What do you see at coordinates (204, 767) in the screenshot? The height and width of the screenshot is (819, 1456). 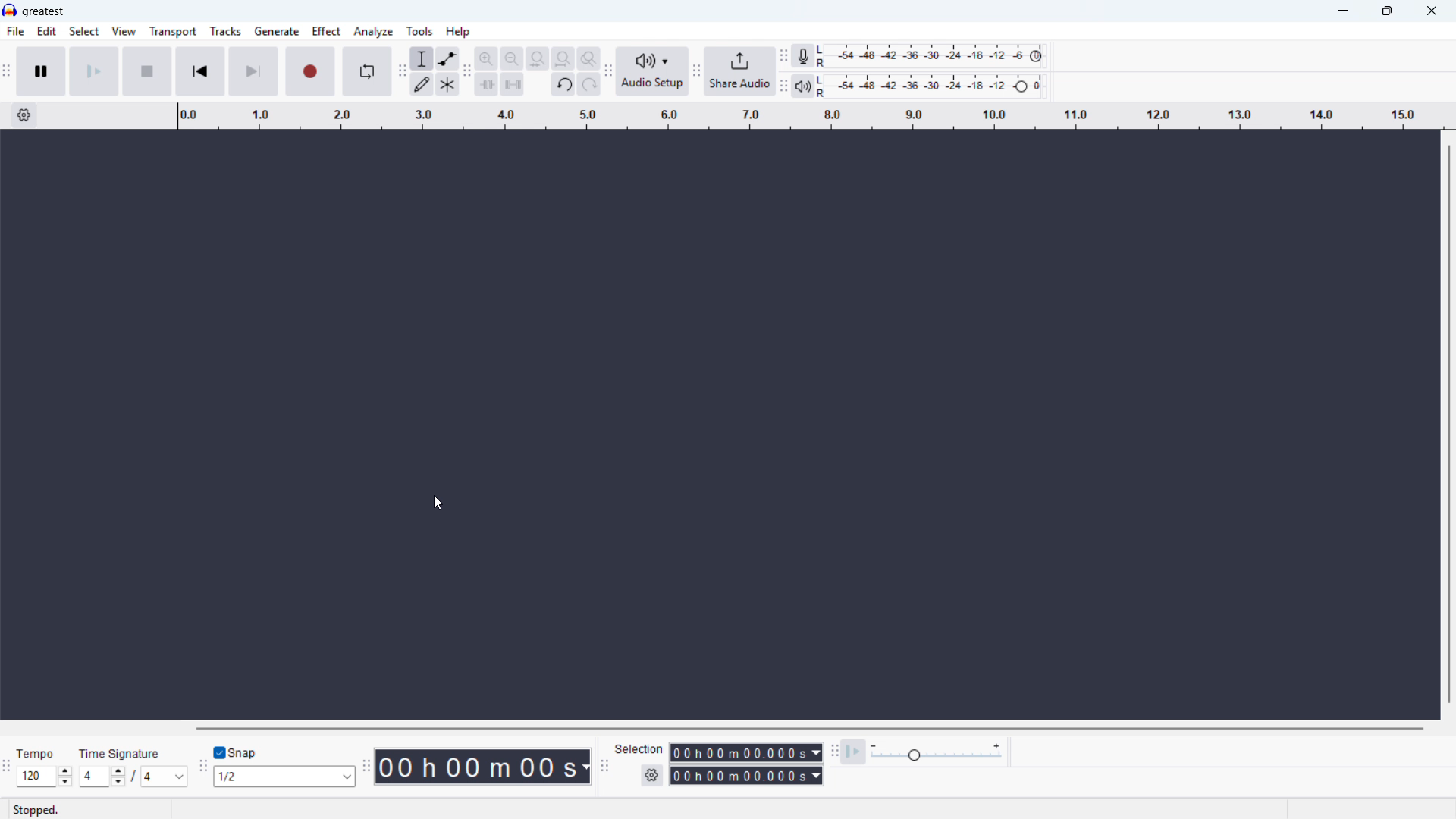 I see `Snapping toolbar ` at bounding box center [204, 767].